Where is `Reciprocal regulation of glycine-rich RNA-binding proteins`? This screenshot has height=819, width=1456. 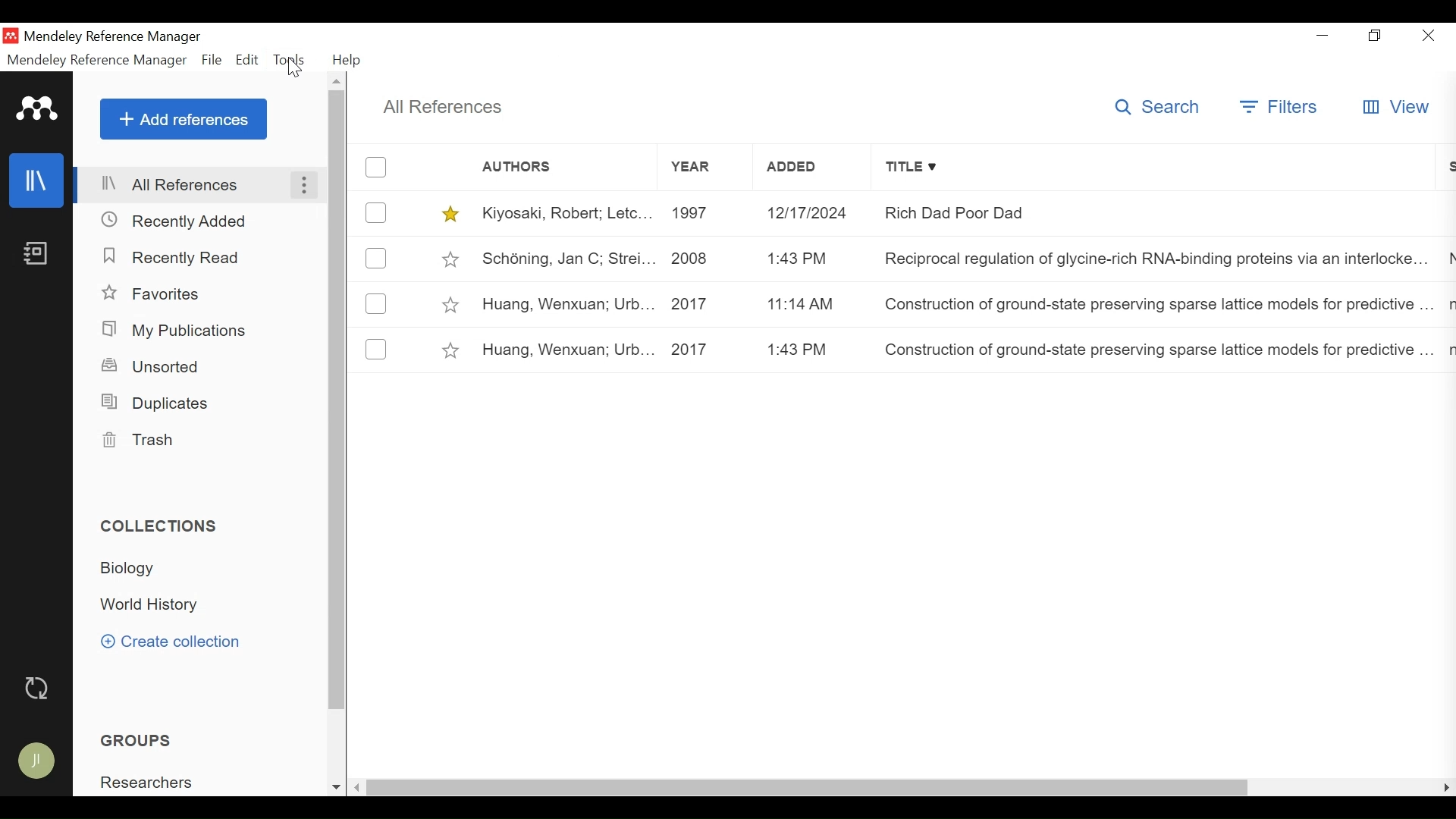
Reciprocal regulation of glycine-rich RNA-binding proteins is located at coordinates (1154, 259).